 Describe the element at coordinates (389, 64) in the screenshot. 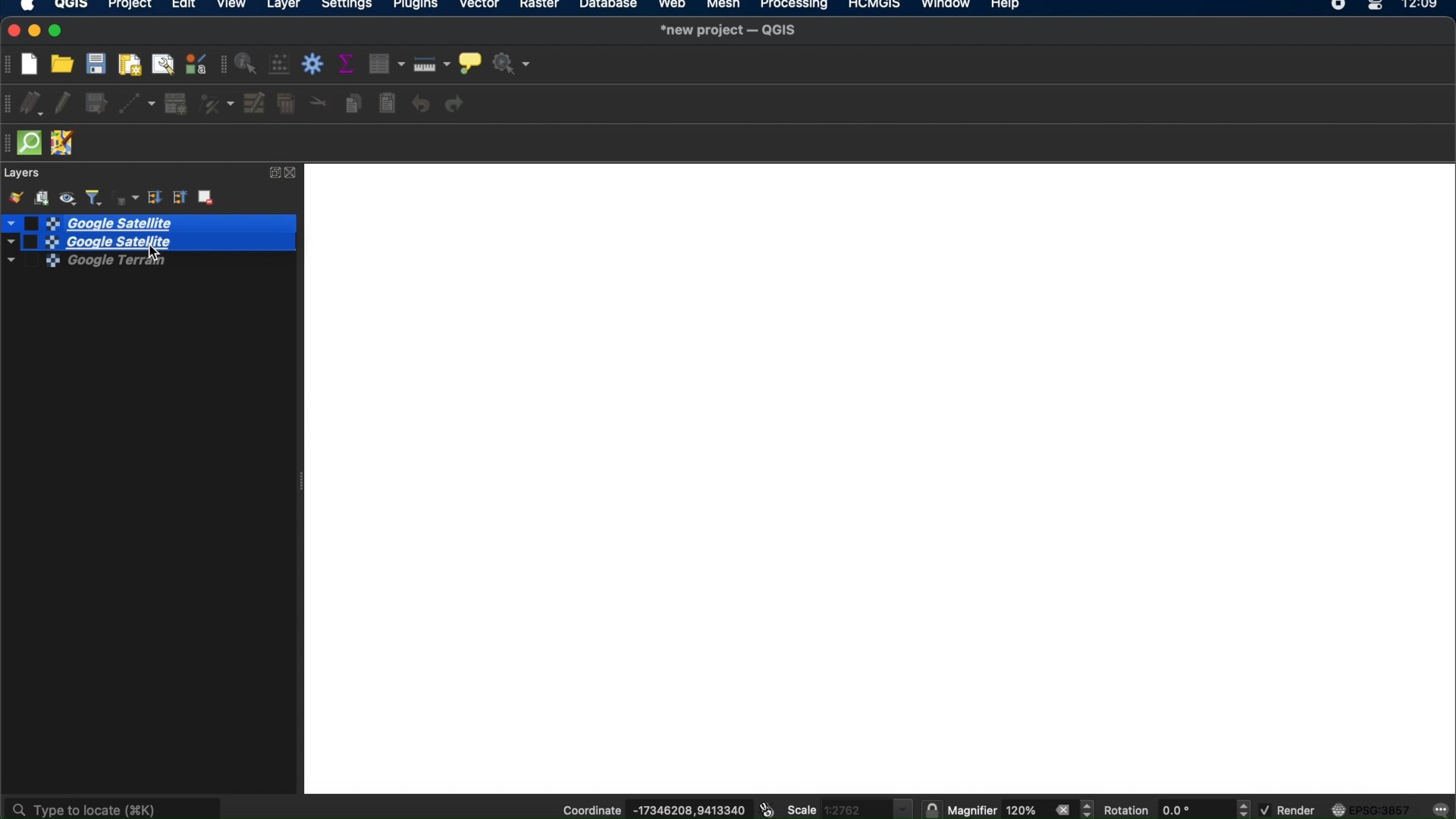

I see `open attribute table` at that location.